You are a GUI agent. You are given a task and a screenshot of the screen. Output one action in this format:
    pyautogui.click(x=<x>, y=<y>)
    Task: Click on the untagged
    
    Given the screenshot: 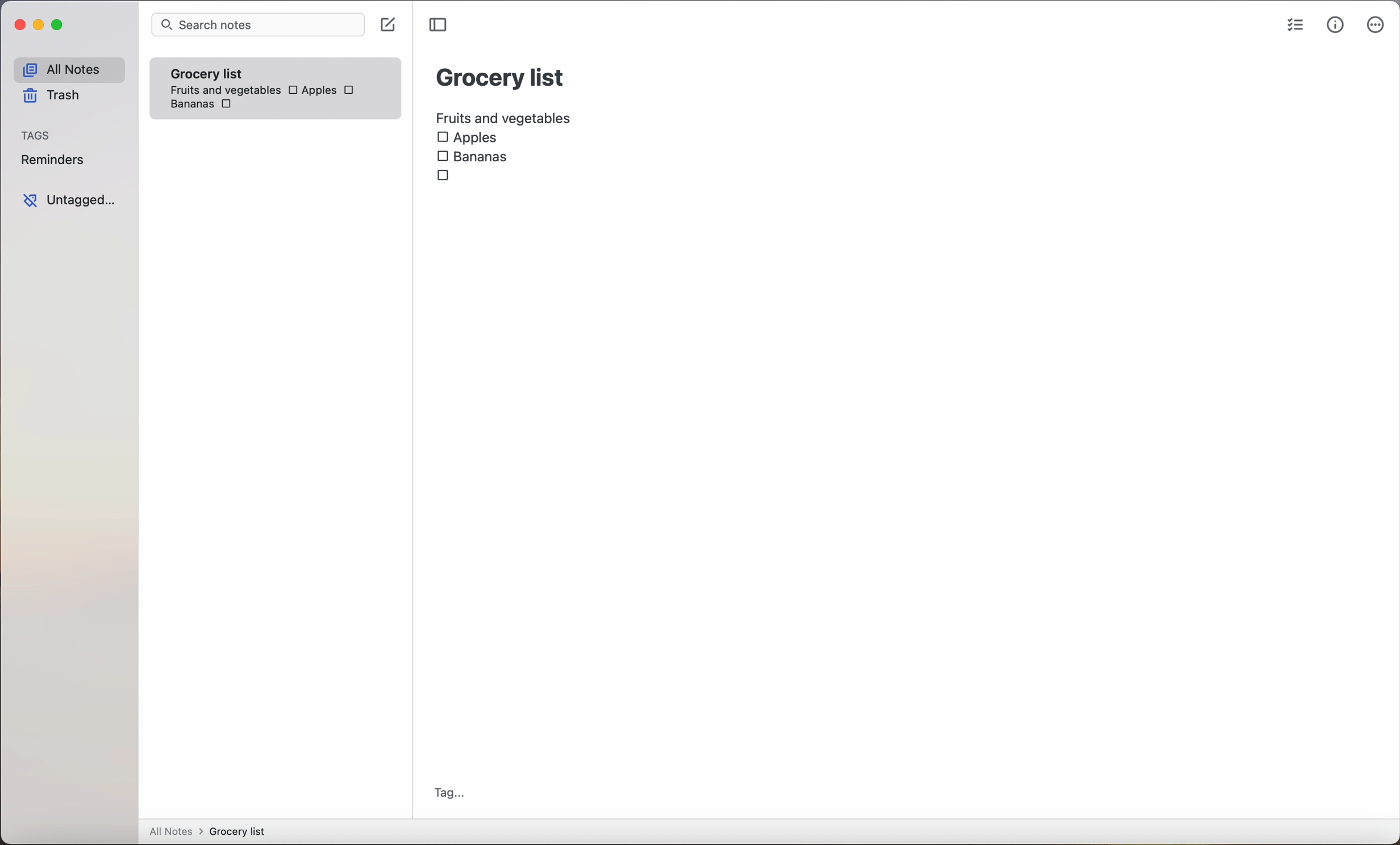 What is the action you would take?
    pyautogui.click(x=69, y=200)
    